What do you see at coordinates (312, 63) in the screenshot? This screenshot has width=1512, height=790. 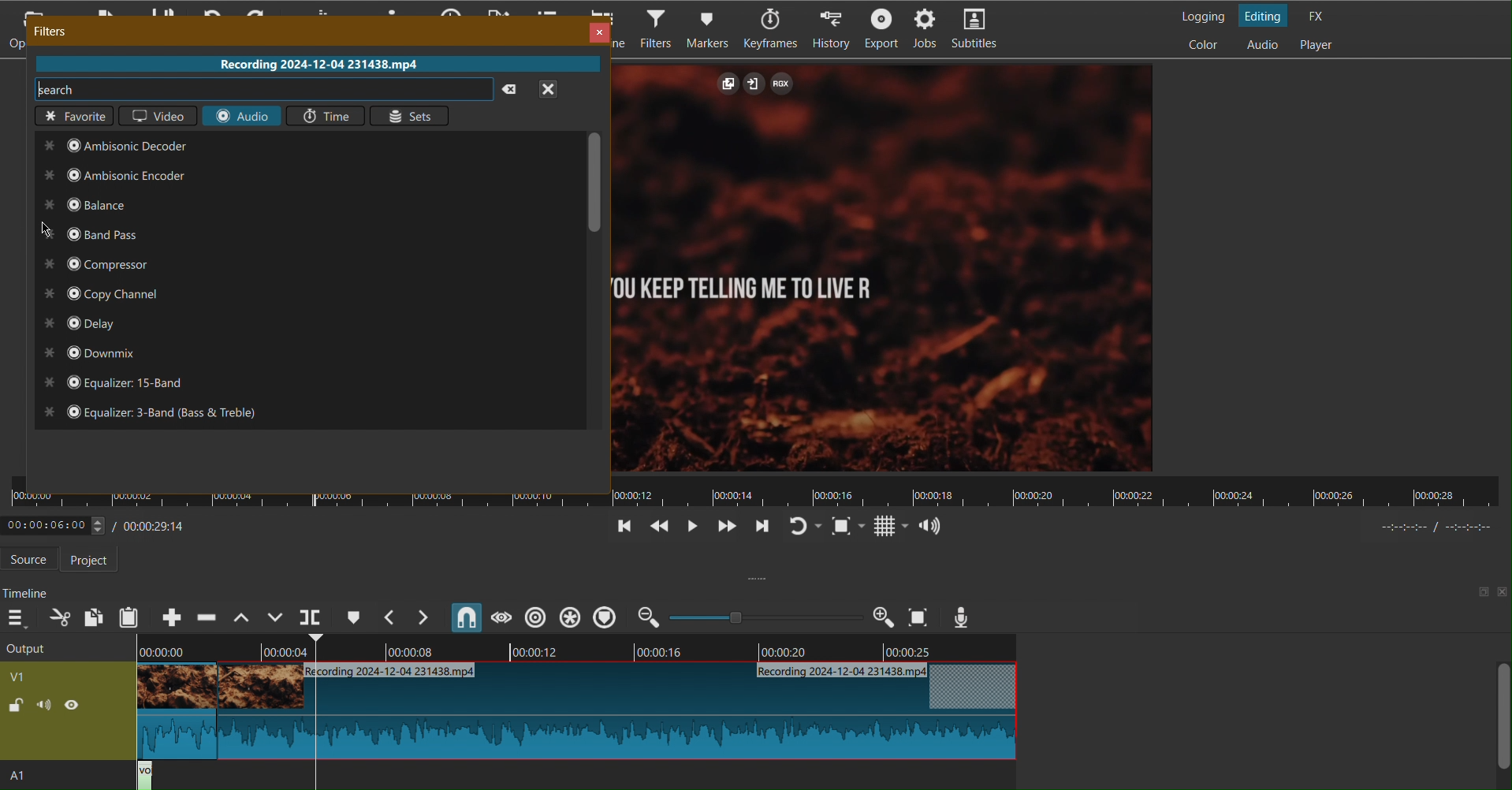 I see `Recording 2024-12-04 231438.mp4` at bounding box center [312, 63].